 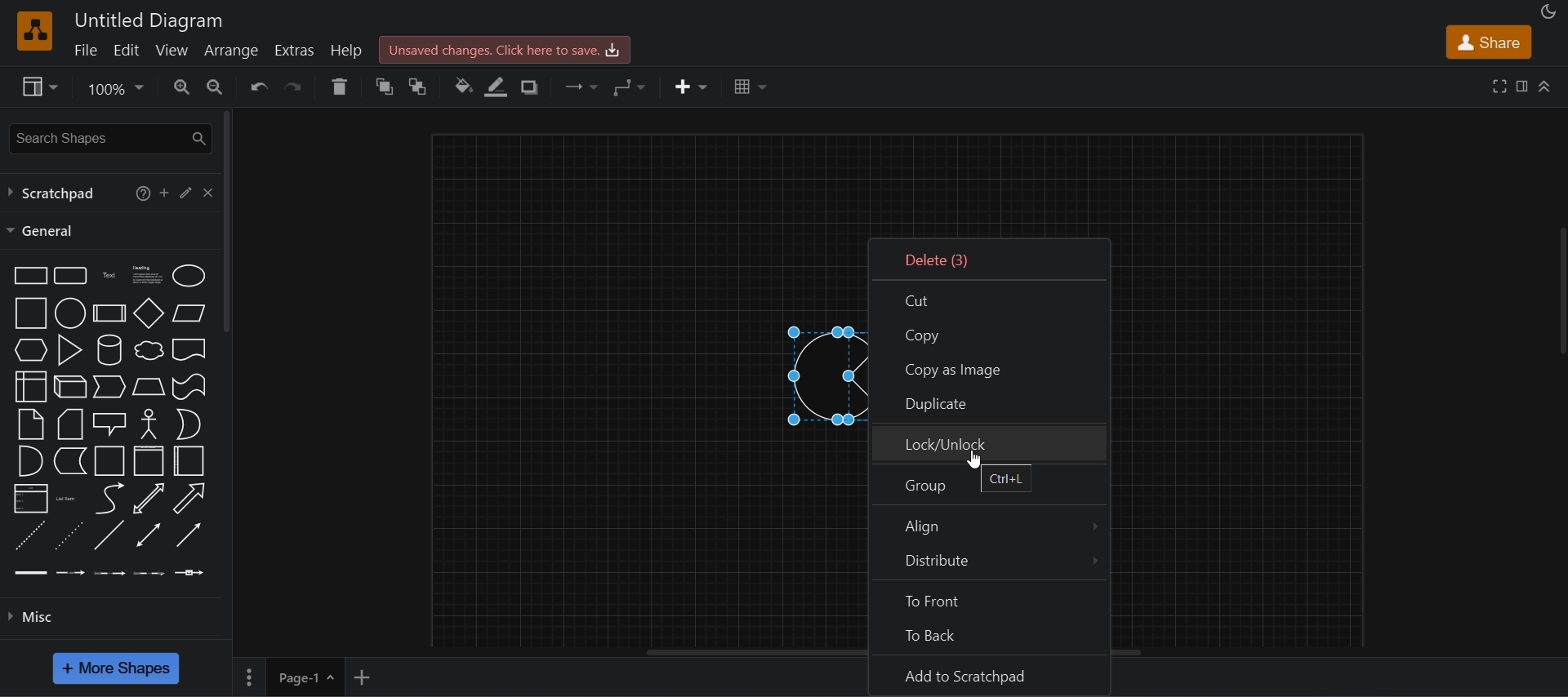 What do you see at coordinates (33, 30) in the screenshot?
I see `logo` at bounding box center [33, 30].